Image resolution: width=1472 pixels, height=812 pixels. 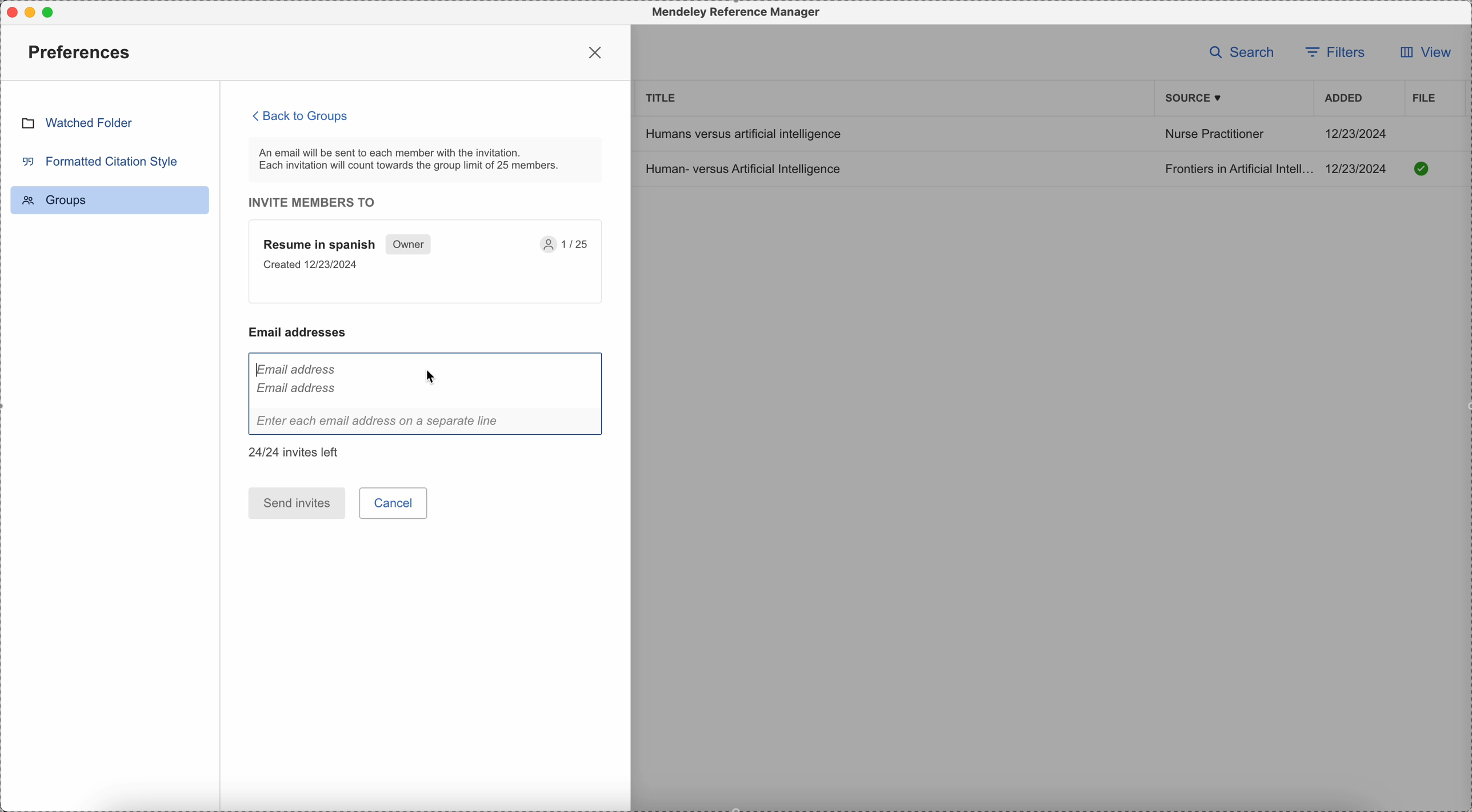 I want to click on cancel, so click(x=395, y=503).